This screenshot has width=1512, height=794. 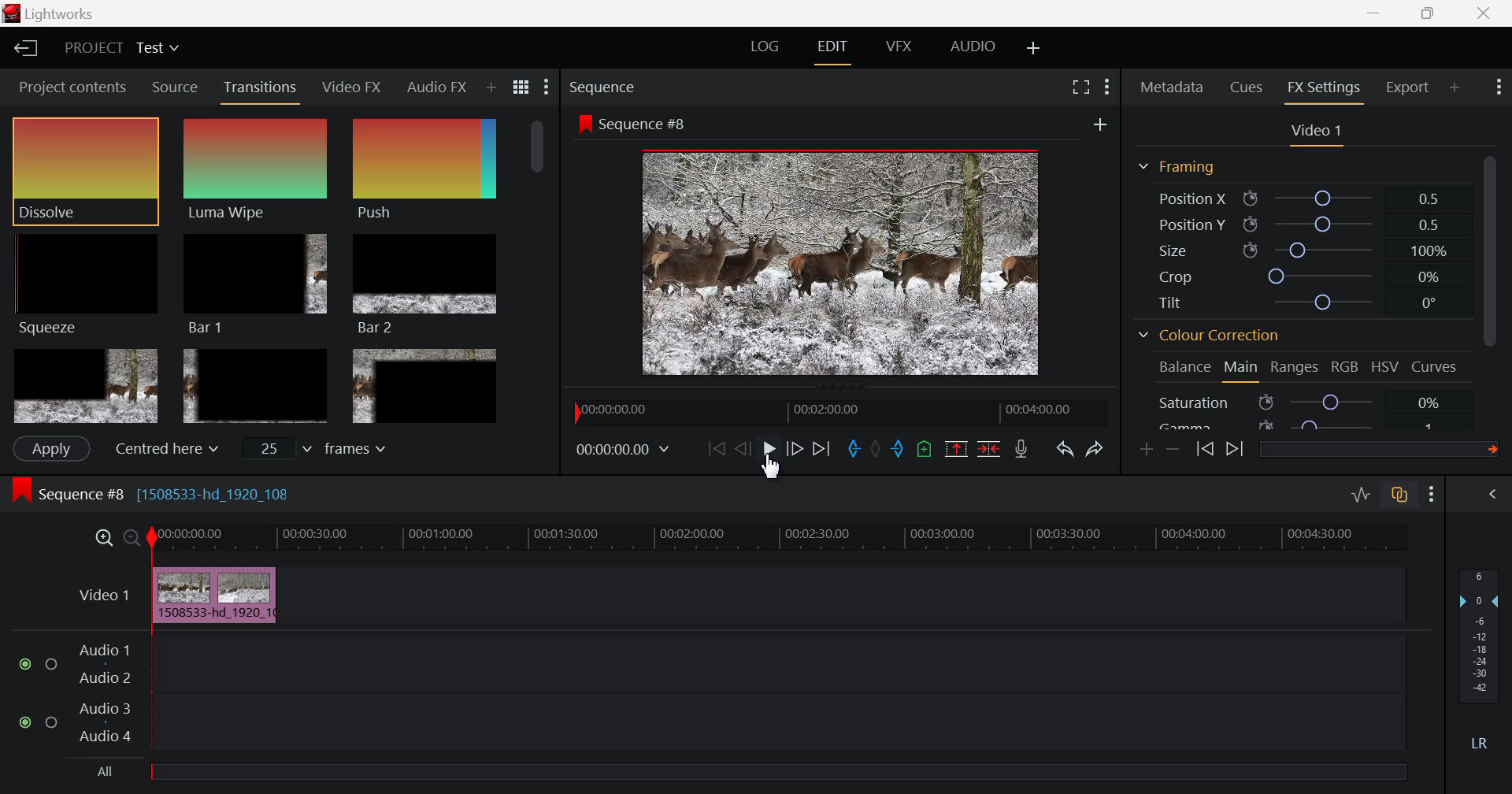 What do you see at coordinates (109, 773) in the screenshot?
I see `All` at bounding box center [109, 773].